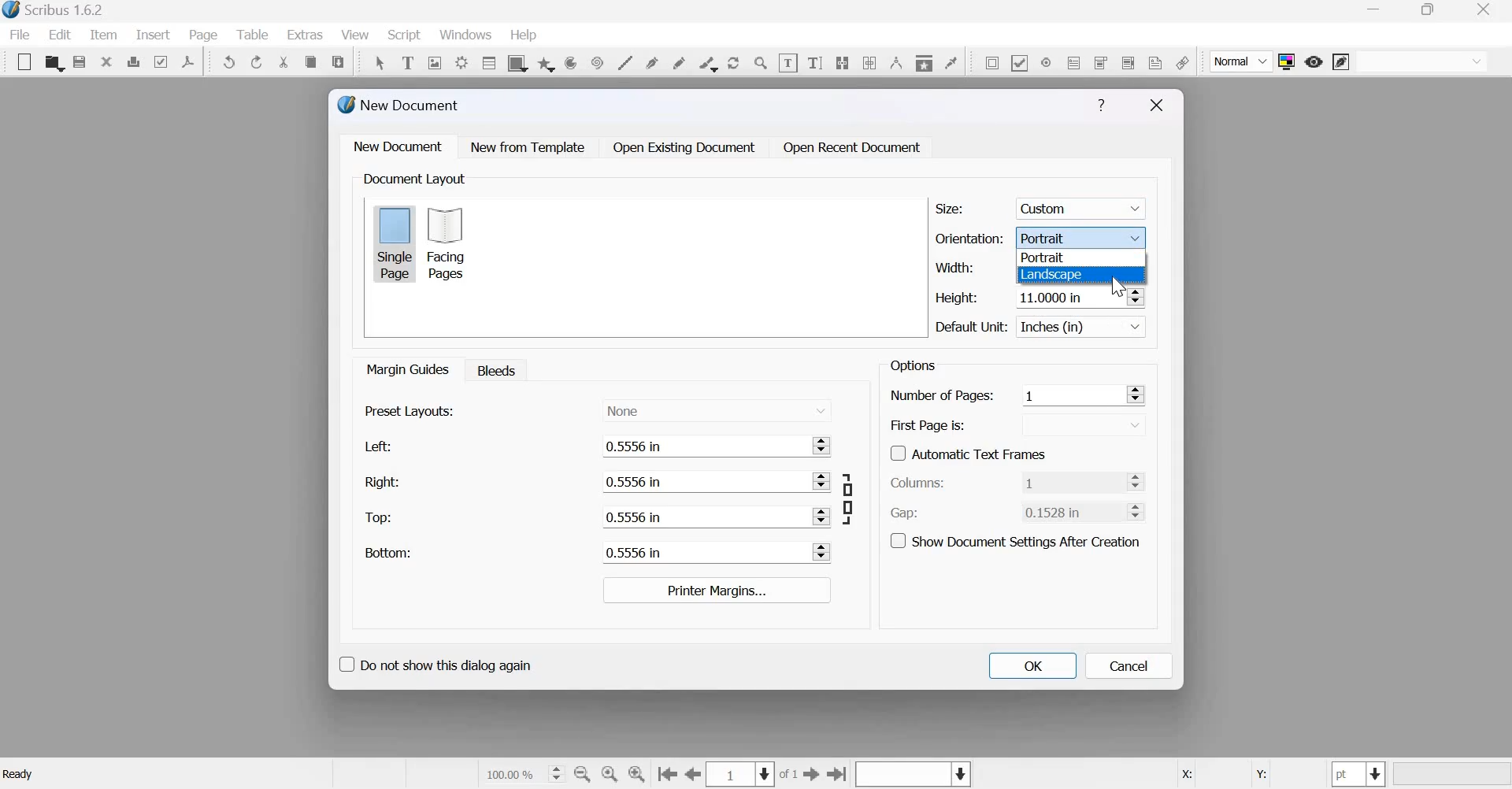 The image size is (1512, 789). Describe the element at coordinates (413, 179) in the screenshot. I see `Document Layout` at that location.